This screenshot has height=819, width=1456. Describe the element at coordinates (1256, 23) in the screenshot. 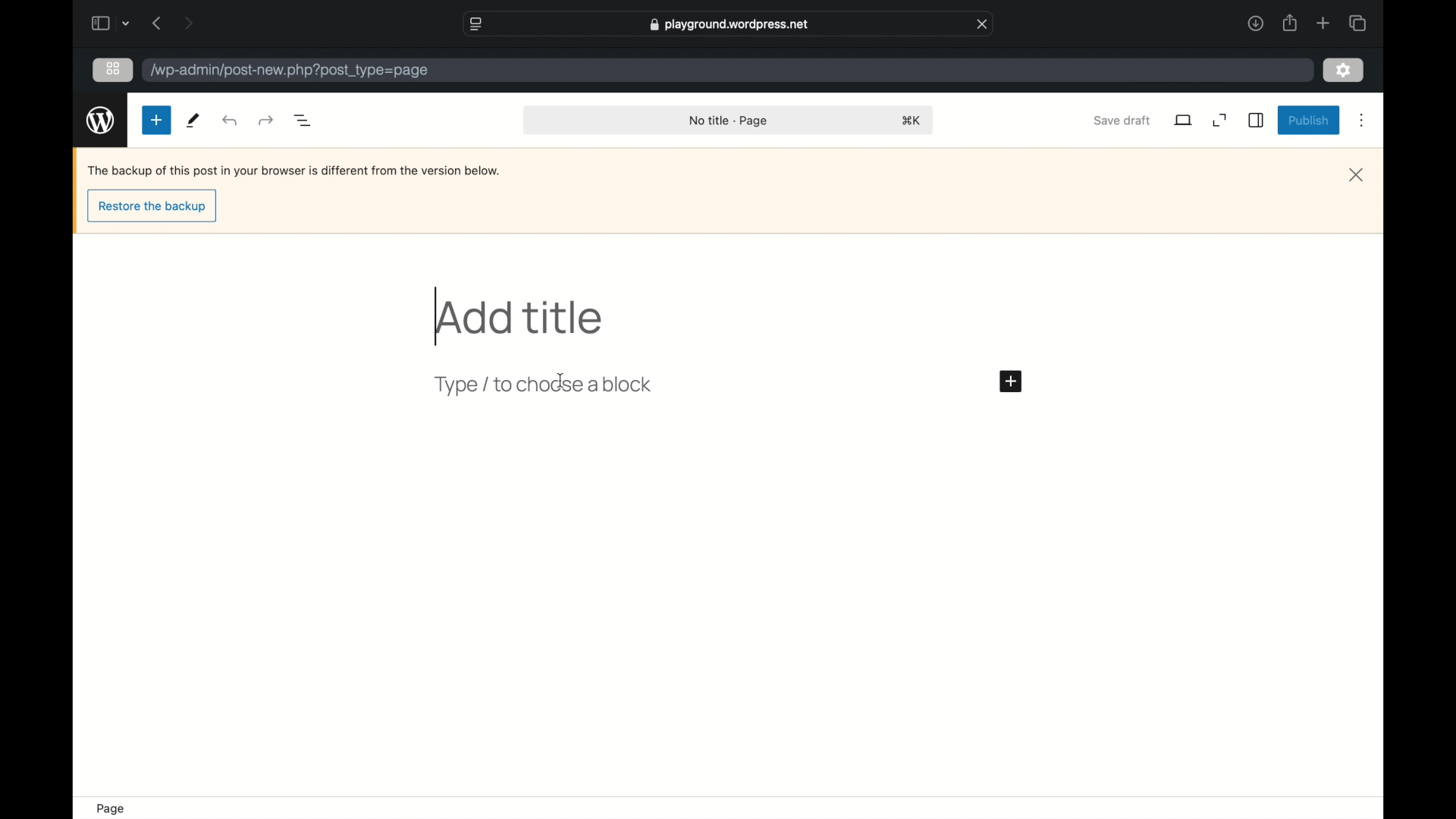

I see `downloads` at that location.